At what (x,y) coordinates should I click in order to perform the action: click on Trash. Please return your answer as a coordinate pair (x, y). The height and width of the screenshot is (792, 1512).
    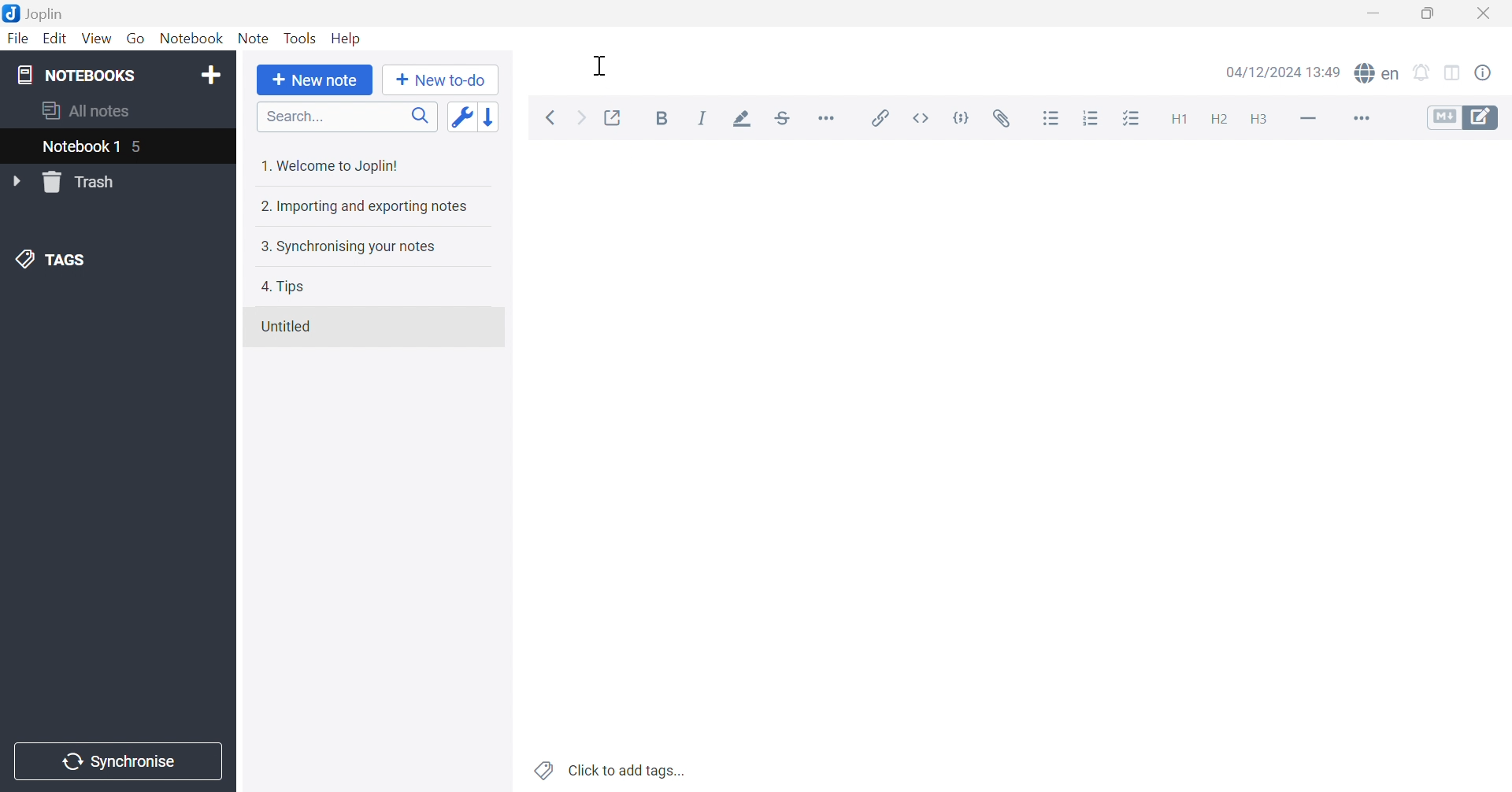
    Looking at the image, I should click on (88, 182).